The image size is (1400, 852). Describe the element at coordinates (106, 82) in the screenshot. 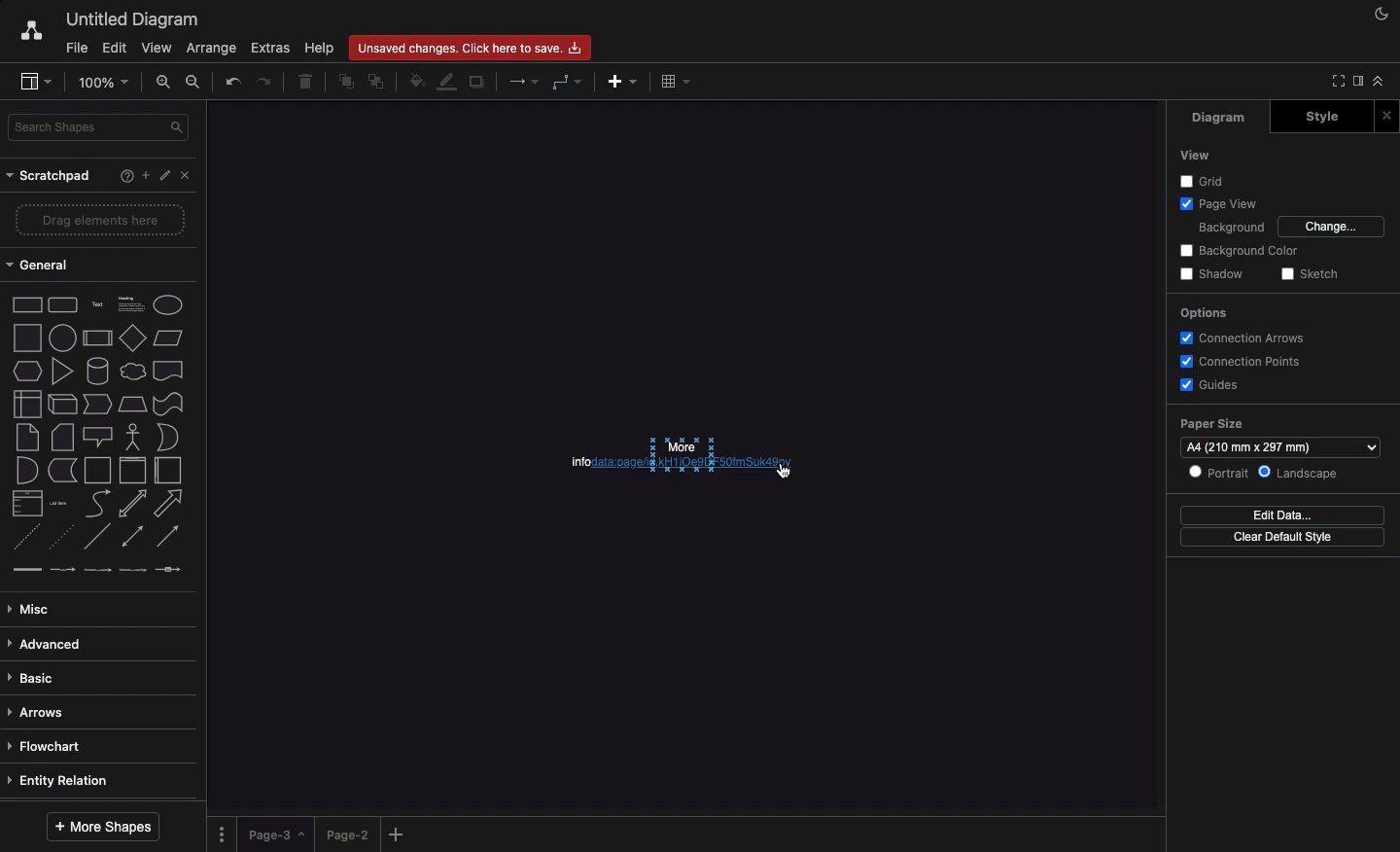

I see `100% - Zoom` at that location.